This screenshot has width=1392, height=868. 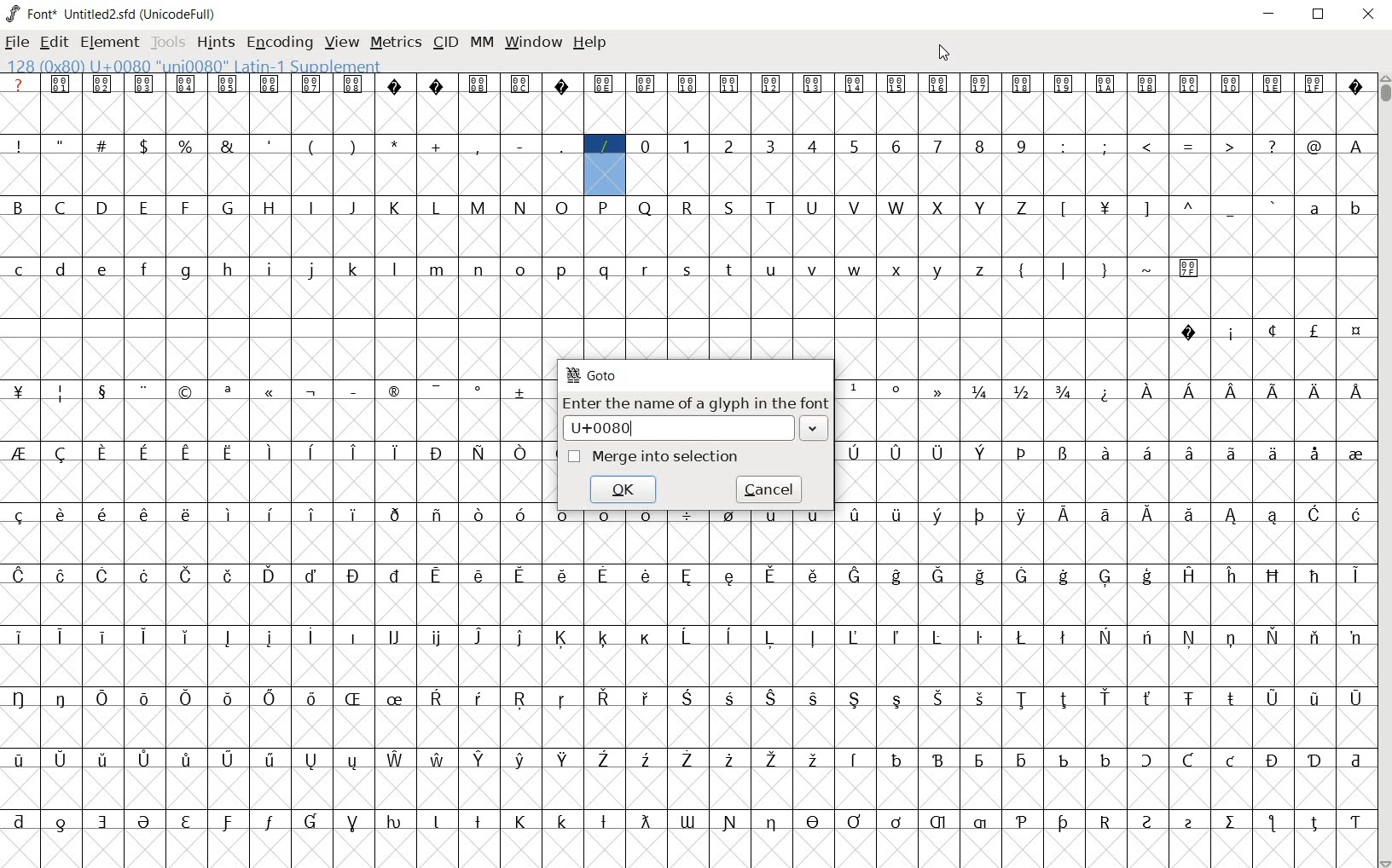 I want to click on glyph, so click(x=1355, y=455).